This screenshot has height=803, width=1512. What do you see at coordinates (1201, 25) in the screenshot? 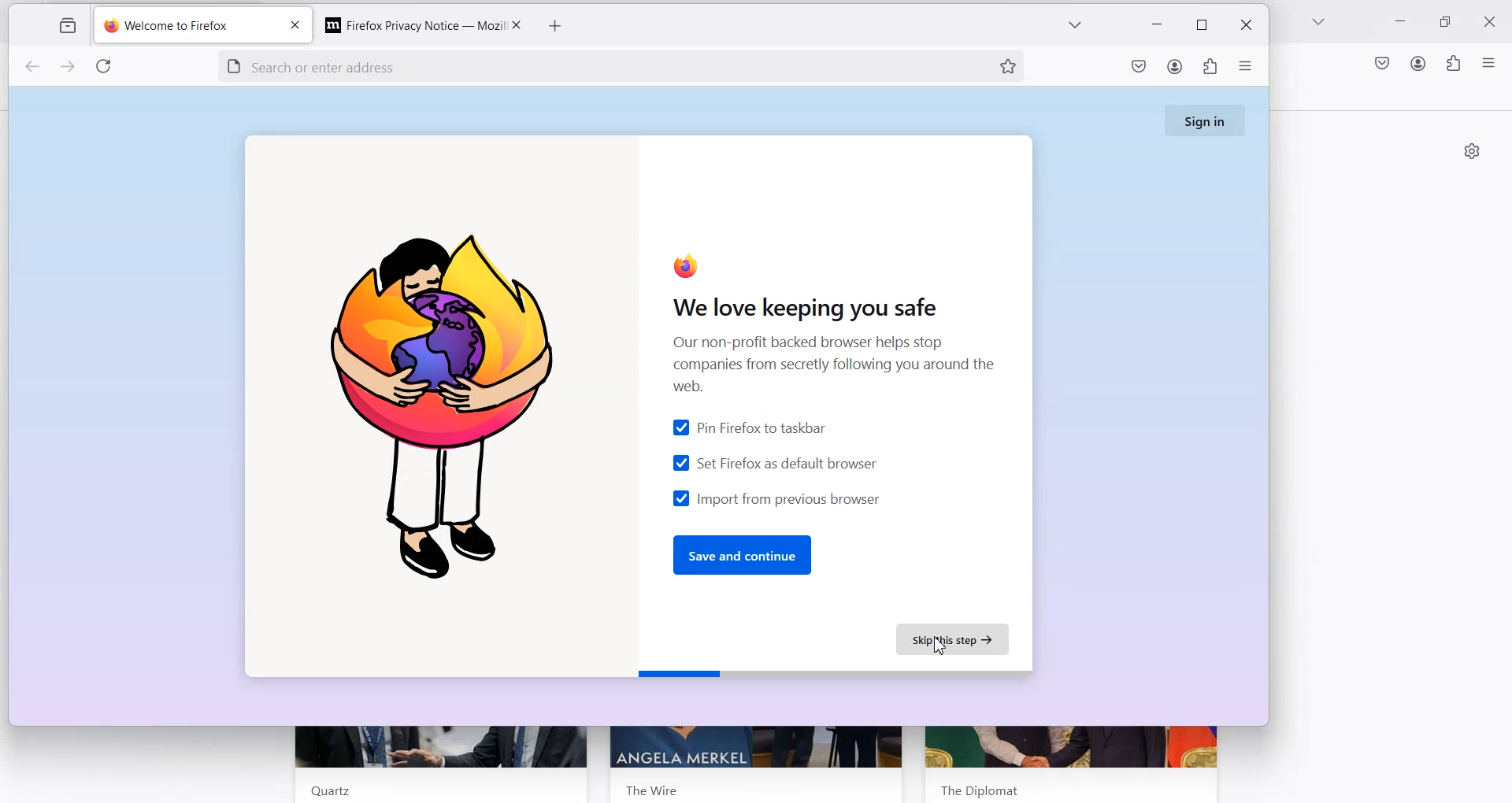
I see `restore down` at bounding box center [1201, 25].